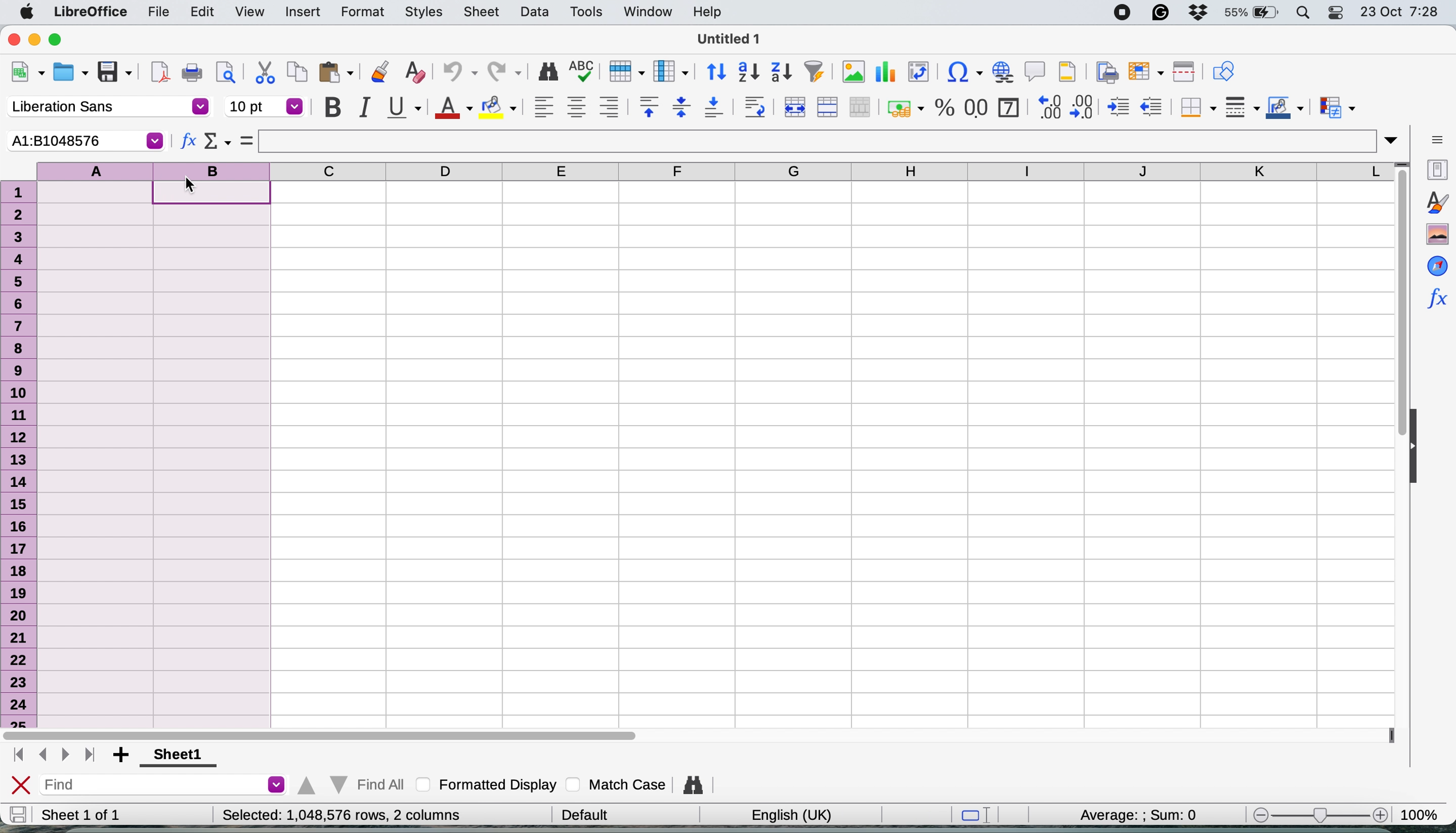  What do you see at coordinates (1186, 72) in the screenshot?
I see `split window` at bounding box center [1186, 72].